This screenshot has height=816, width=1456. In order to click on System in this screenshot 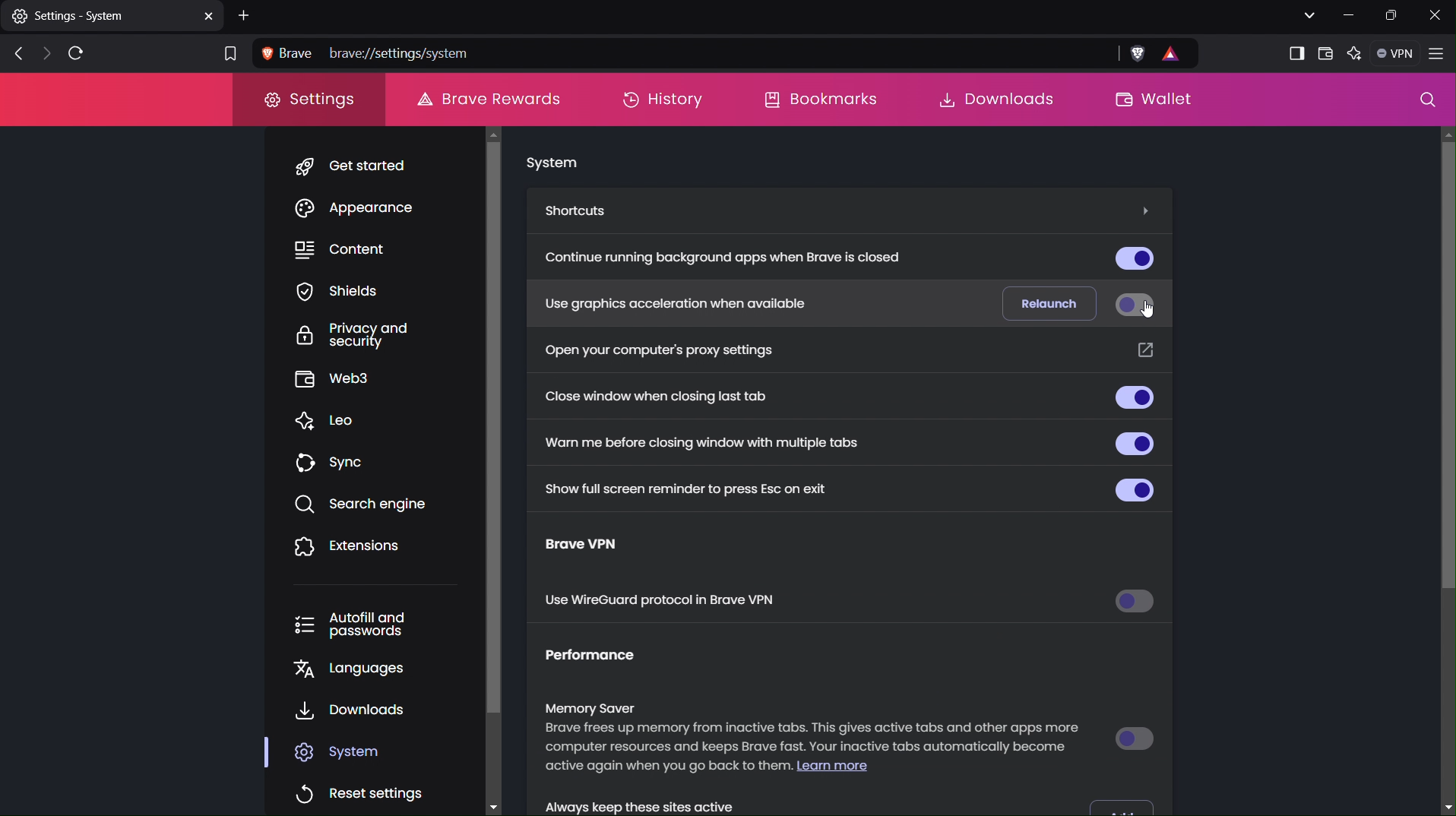, I will do `click(348, 751)`.